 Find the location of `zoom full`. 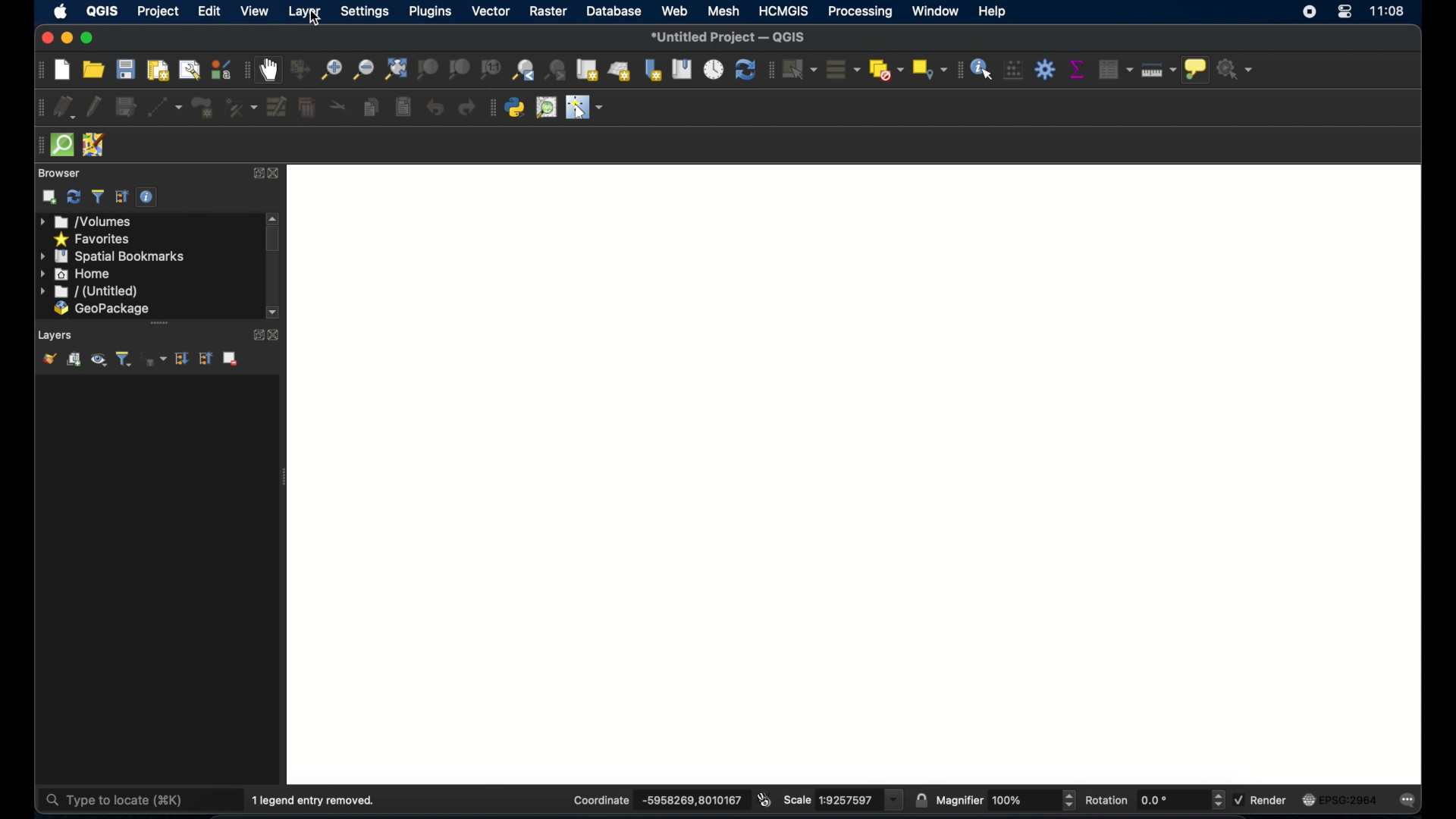

zoom full is located at coordinates (394, 68).